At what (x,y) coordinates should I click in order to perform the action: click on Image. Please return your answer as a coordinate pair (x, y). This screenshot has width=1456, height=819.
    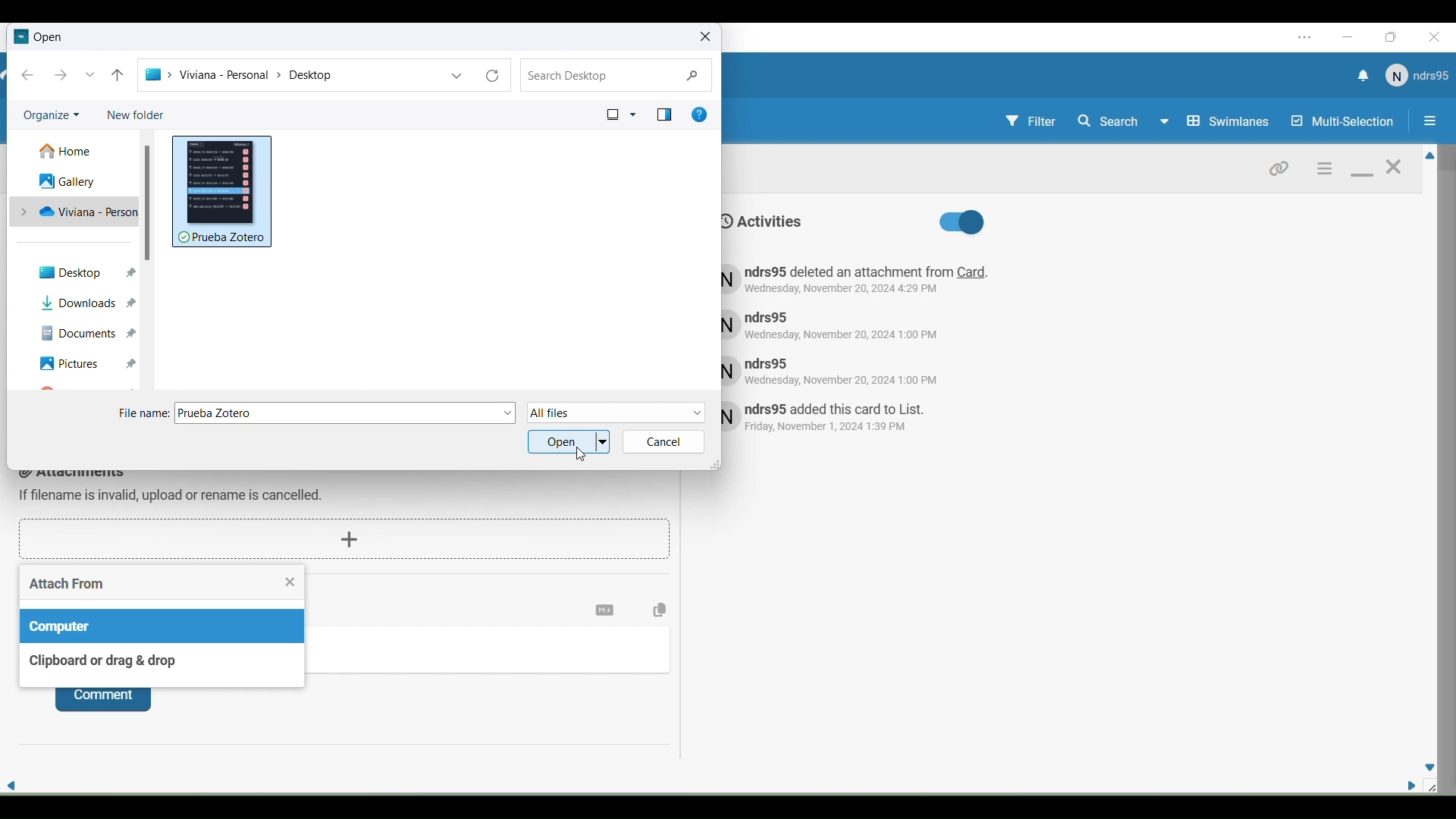
    Looking at the image, I should click on (223, 191).